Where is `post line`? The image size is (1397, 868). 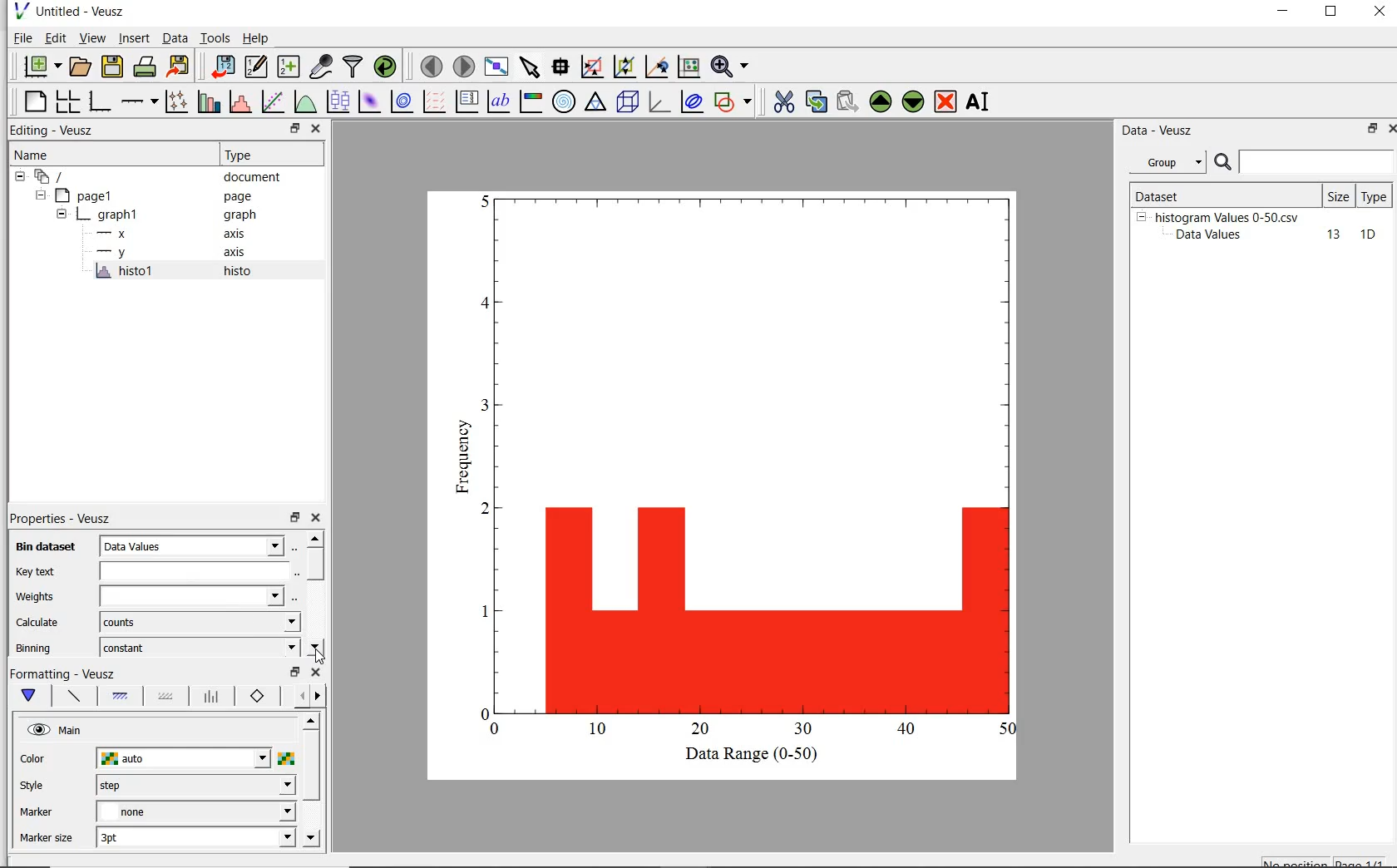
post line is located at coordinates (212, 697).